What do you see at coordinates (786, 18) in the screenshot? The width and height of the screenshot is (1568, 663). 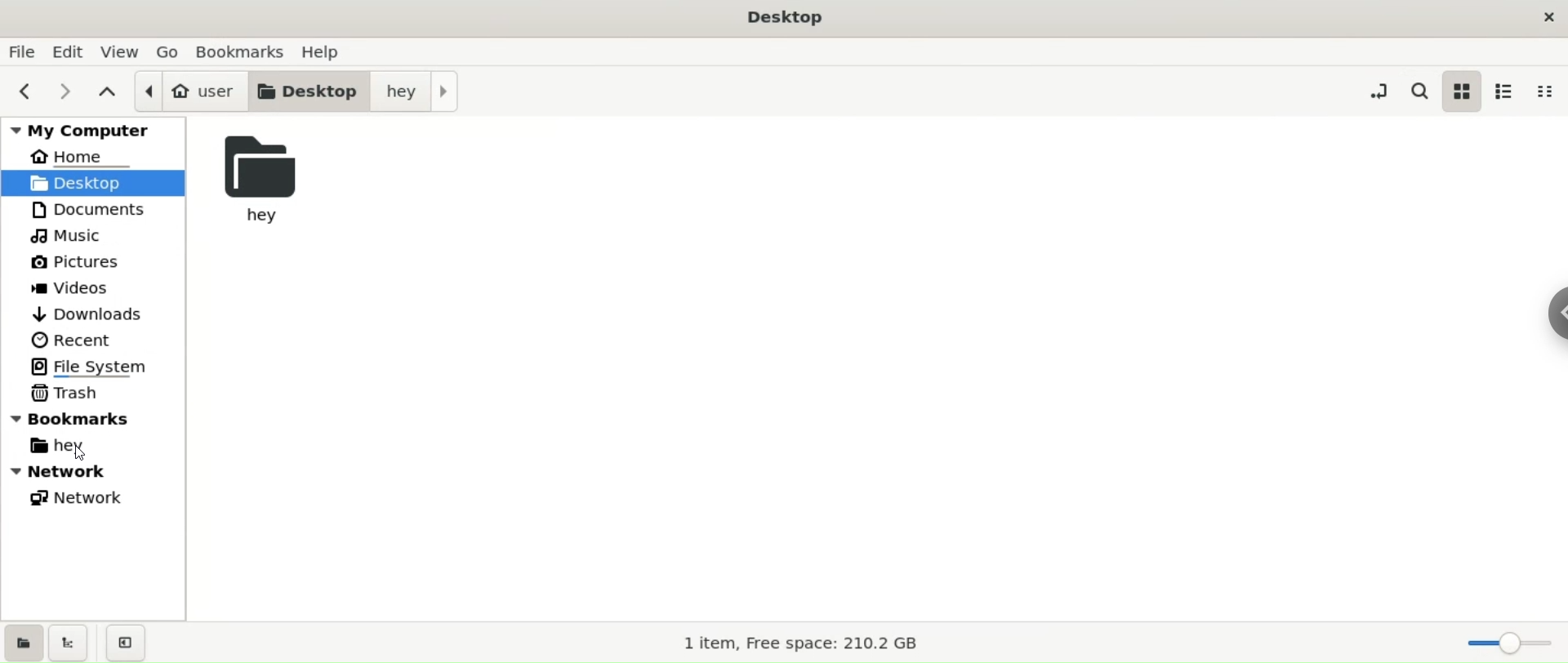 I see `Desktop` at bounding box center [786, 18].